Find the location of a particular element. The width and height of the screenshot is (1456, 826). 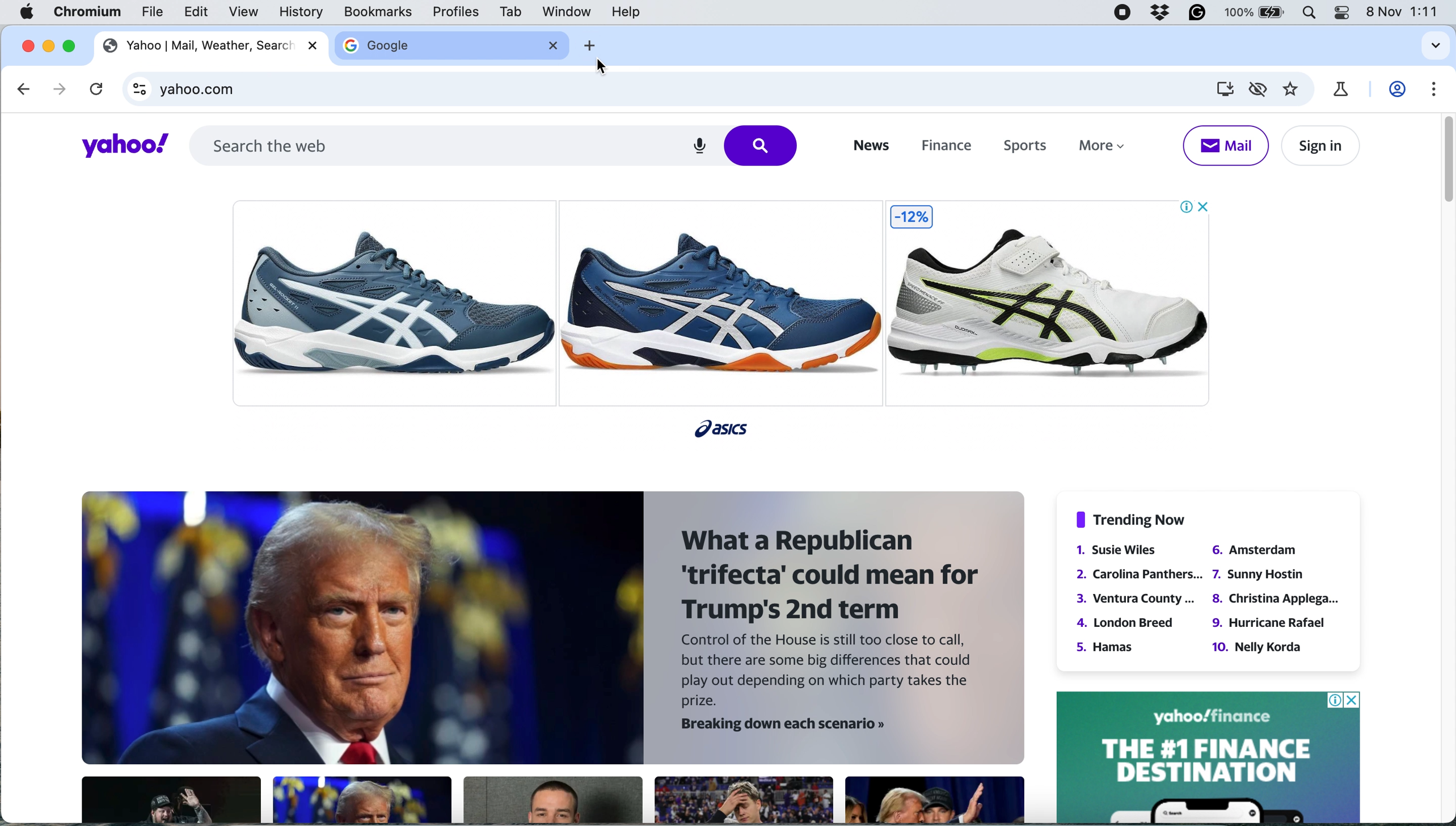

minimise is located at coordinates (50, 45).